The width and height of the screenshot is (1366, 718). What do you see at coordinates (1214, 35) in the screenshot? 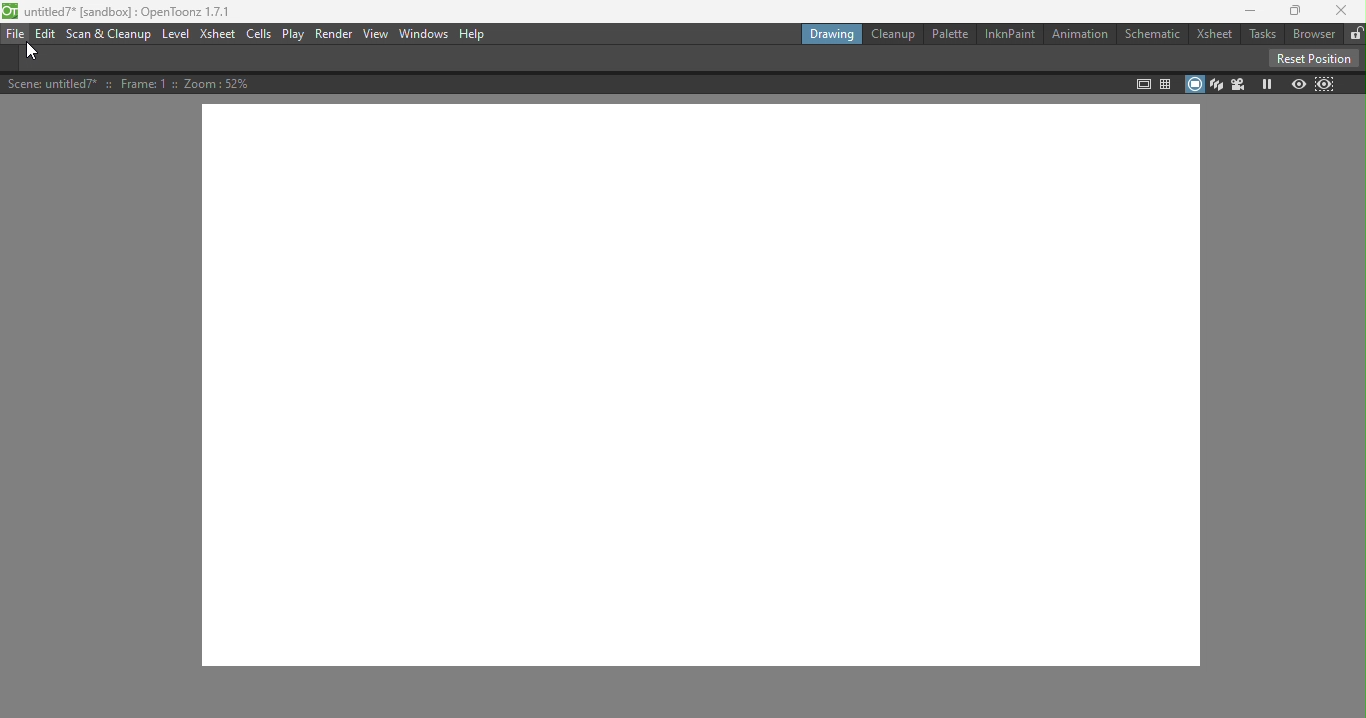
I see `Xsheet` at bounding box center [1214, 35].